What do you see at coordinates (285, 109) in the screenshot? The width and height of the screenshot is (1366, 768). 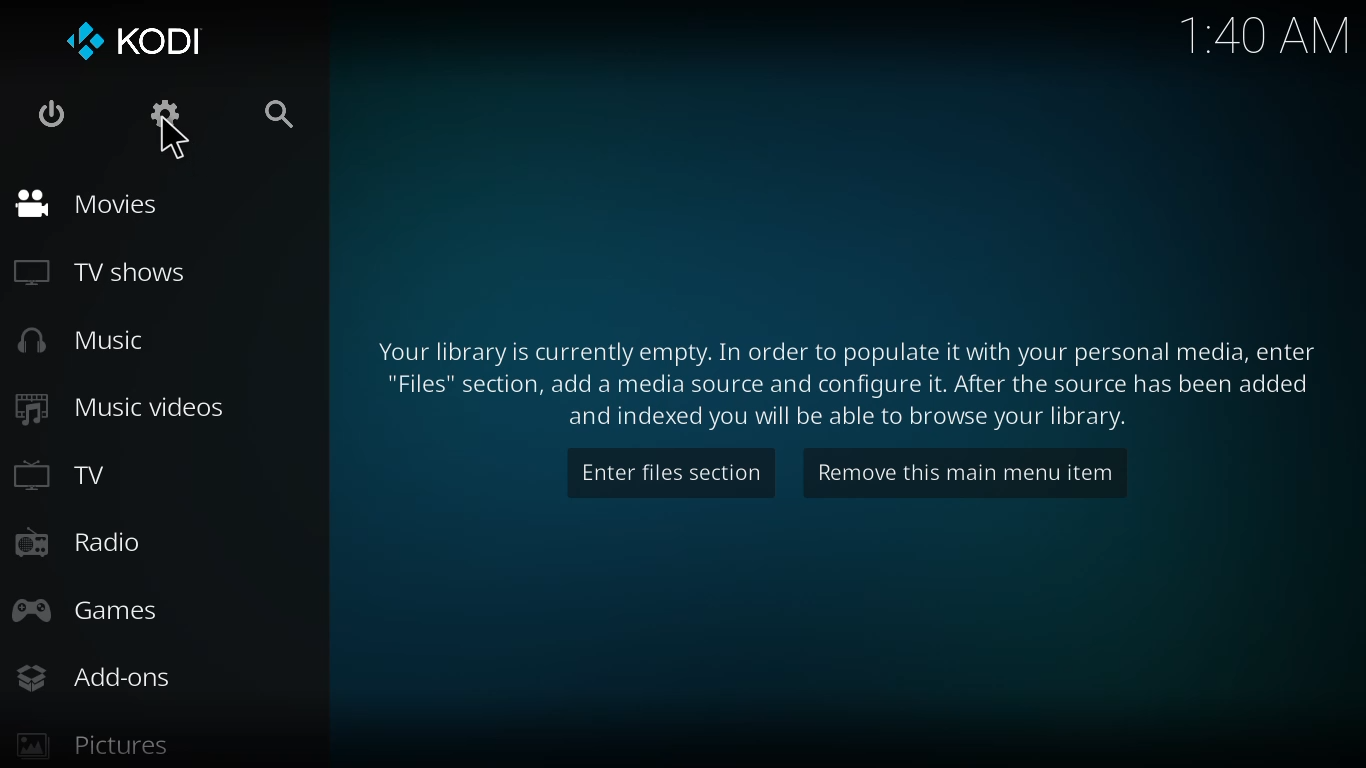 I see `search` at bounding box center [285, 109].